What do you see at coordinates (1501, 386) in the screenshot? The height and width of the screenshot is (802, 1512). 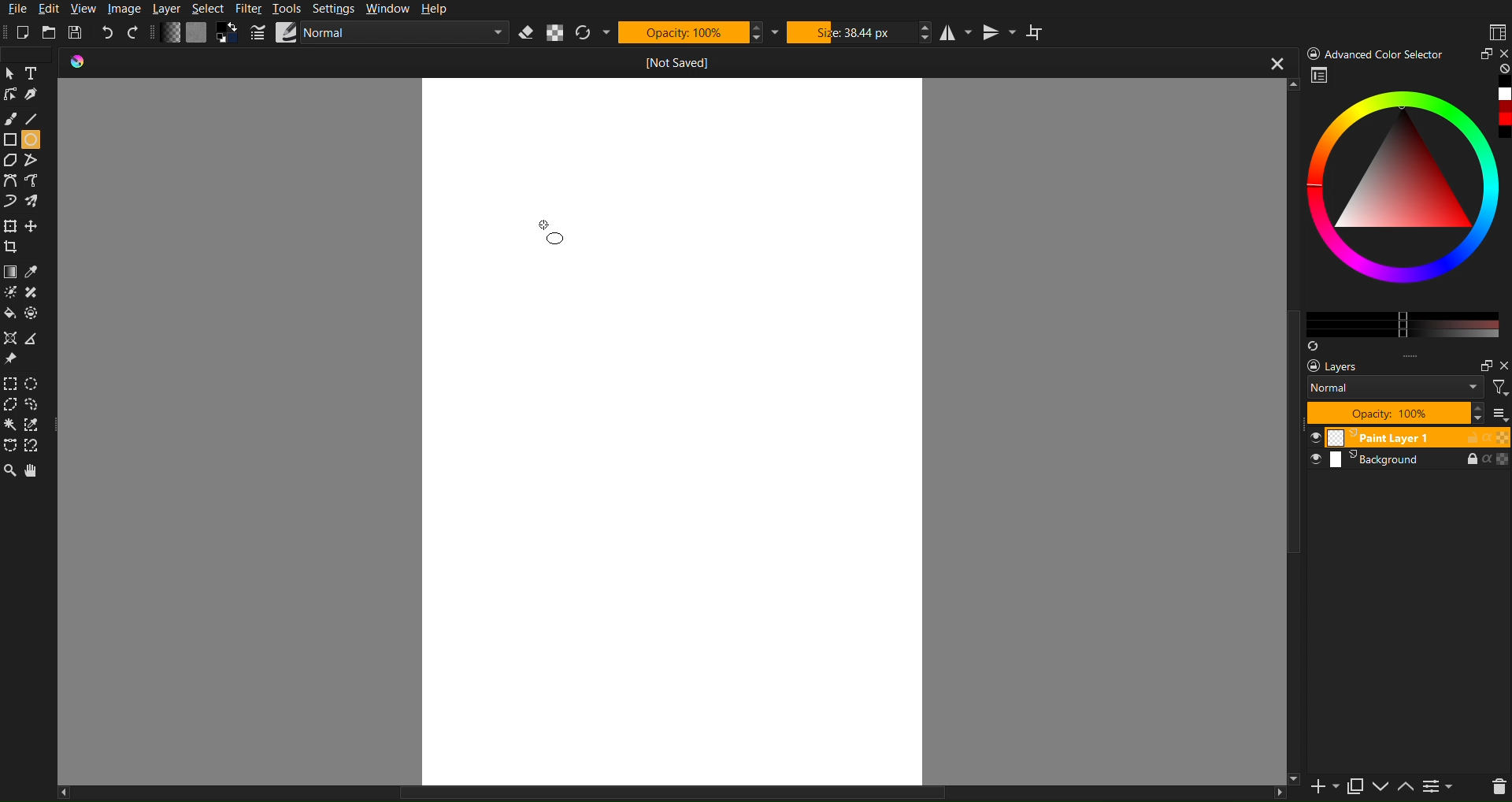 I see `filter` at bounding box center [1501, 386].